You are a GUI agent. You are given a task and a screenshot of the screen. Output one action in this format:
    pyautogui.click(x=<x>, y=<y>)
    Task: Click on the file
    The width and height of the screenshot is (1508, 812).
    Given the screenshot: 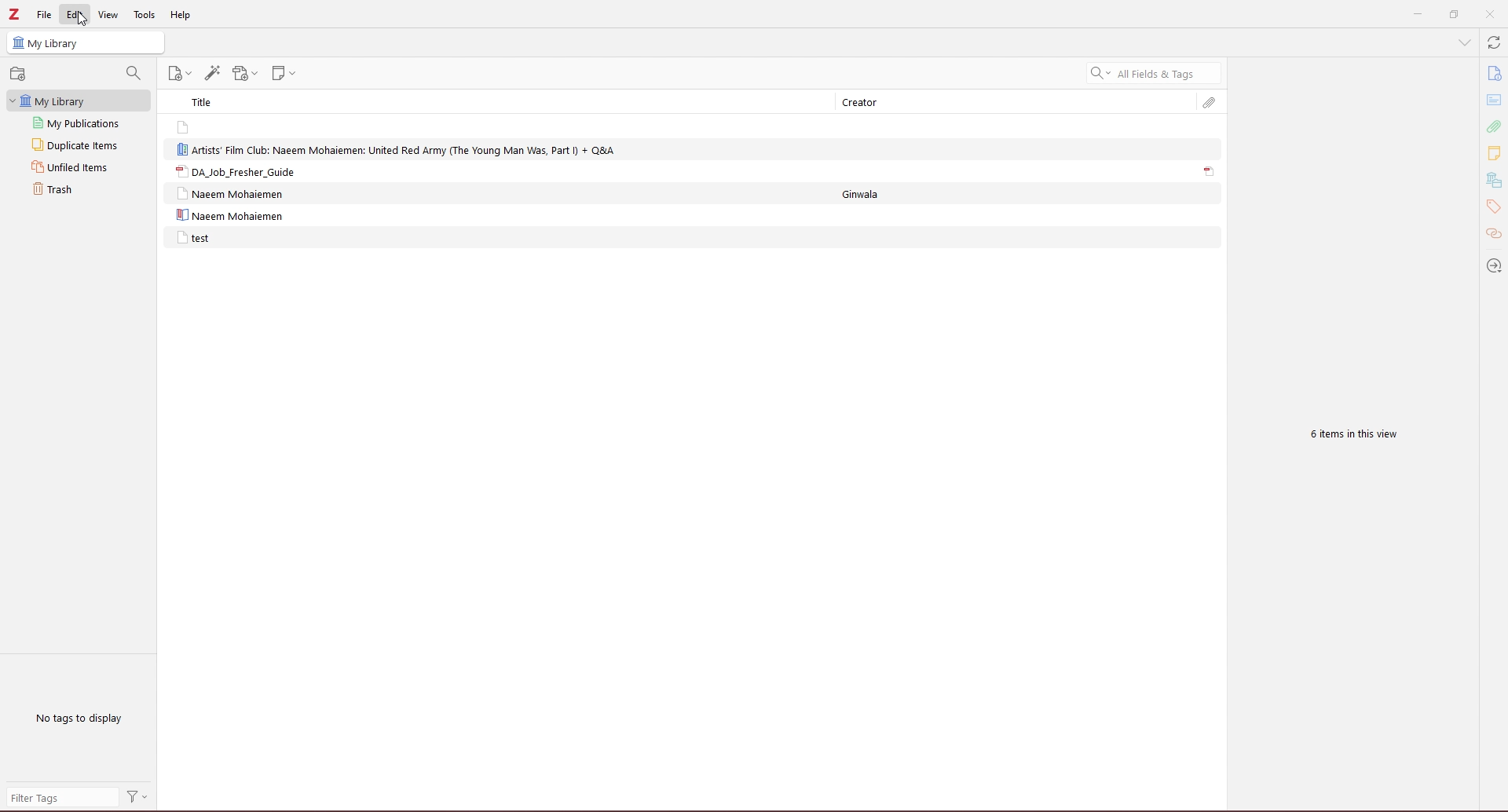 What is the action you would take?
    pyautogui.click(x=45, y=14)
    